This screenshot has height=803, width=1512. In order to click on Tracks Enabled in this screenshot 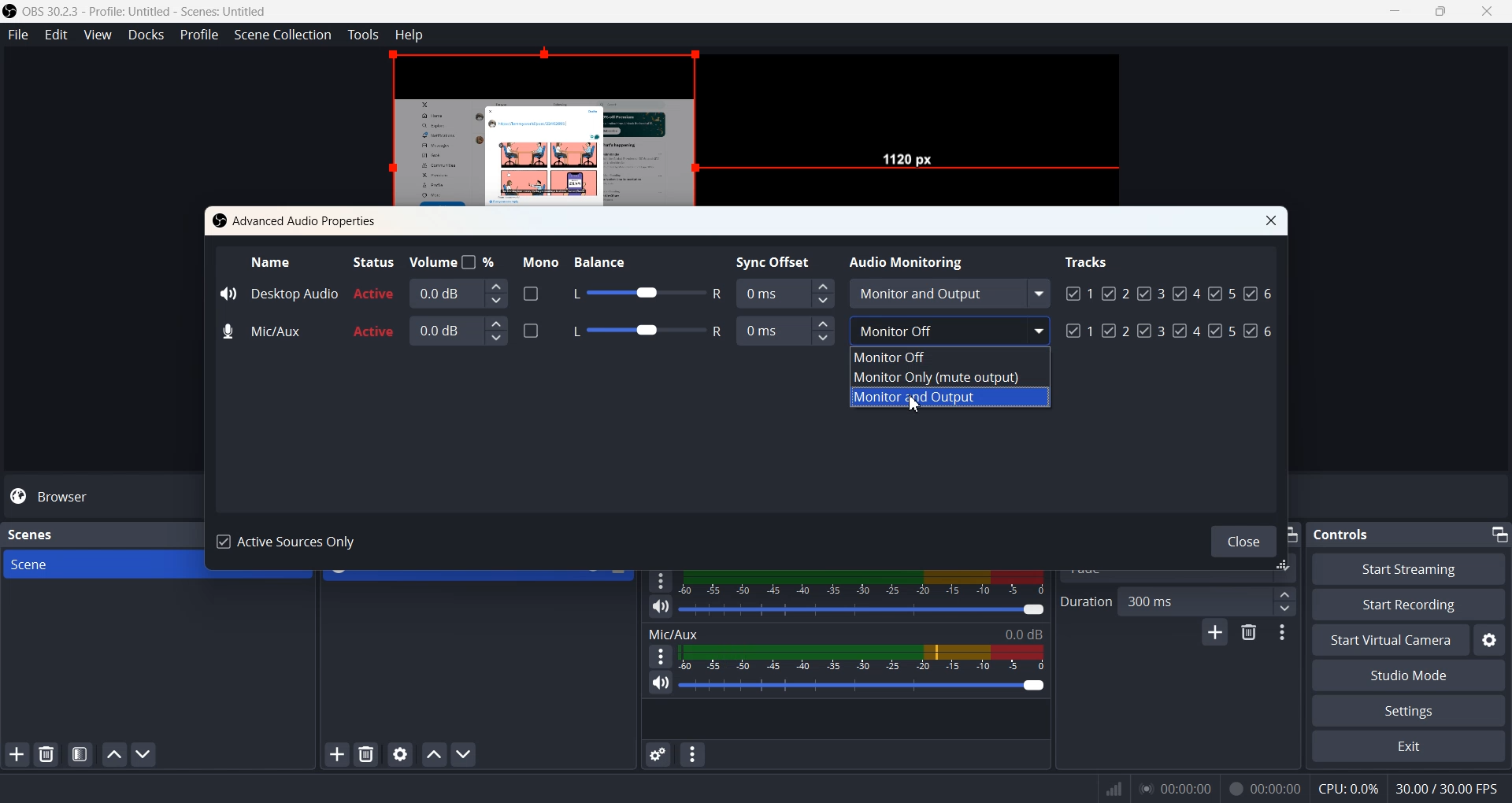, I will do `click(1169, 309)`.